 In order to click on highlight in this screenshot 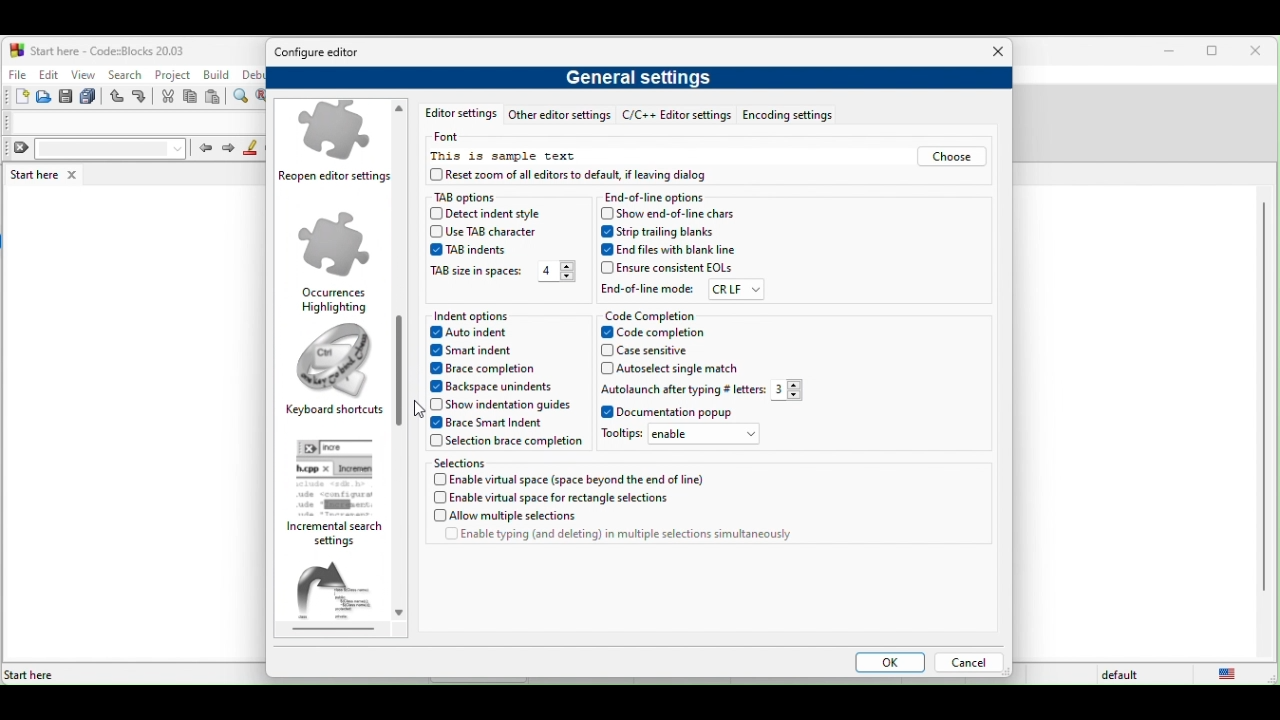, I will do `click(251, 148)`.